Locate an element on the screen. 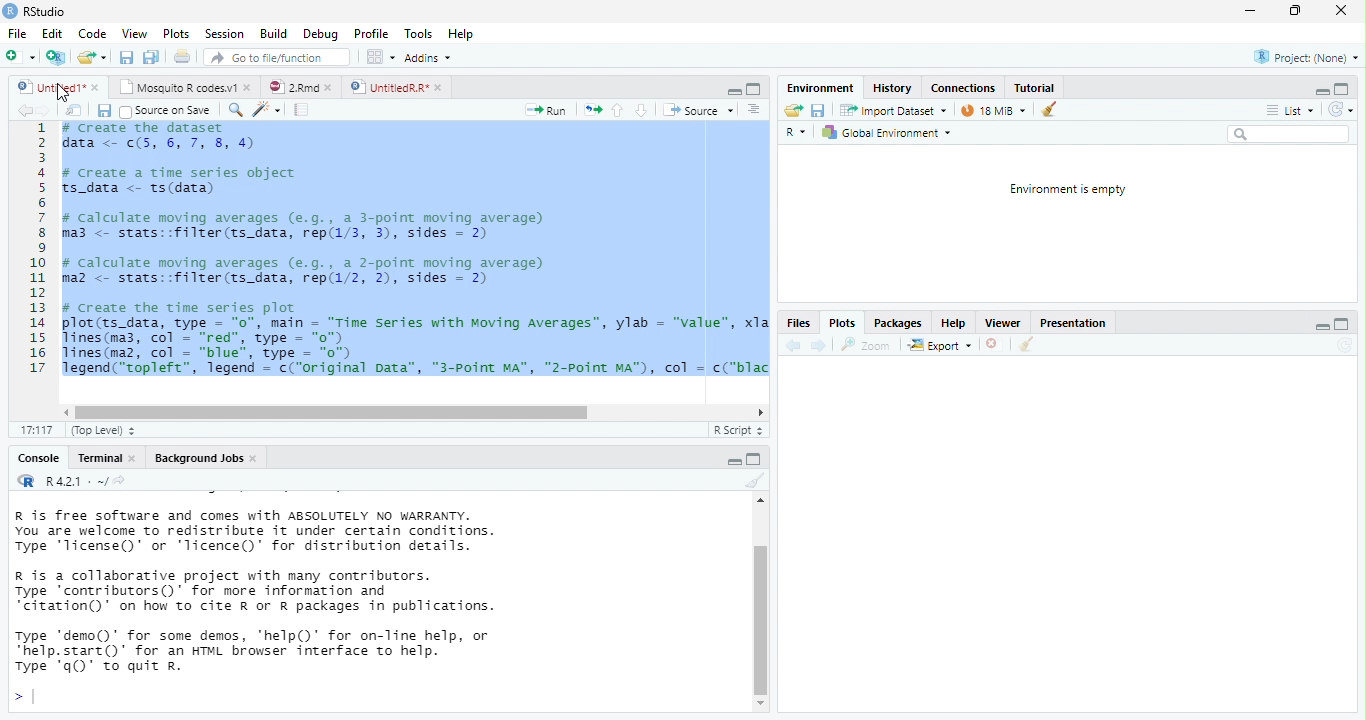 The width and height of the screenshot is (1366, 720). vertical scrollbar is located at coordinates (761, 619).